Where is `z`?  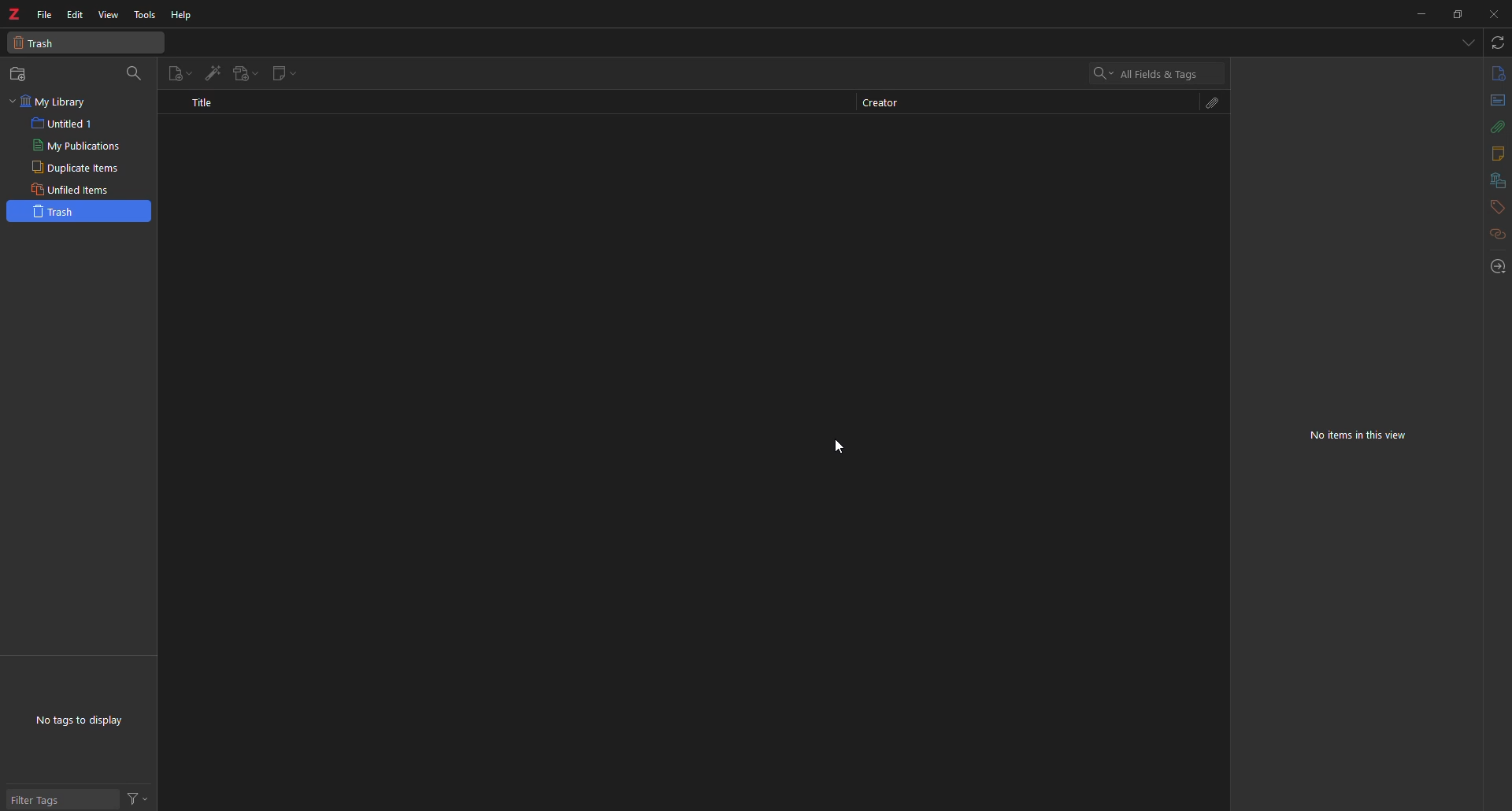 z is located at coordinates (14, 10).